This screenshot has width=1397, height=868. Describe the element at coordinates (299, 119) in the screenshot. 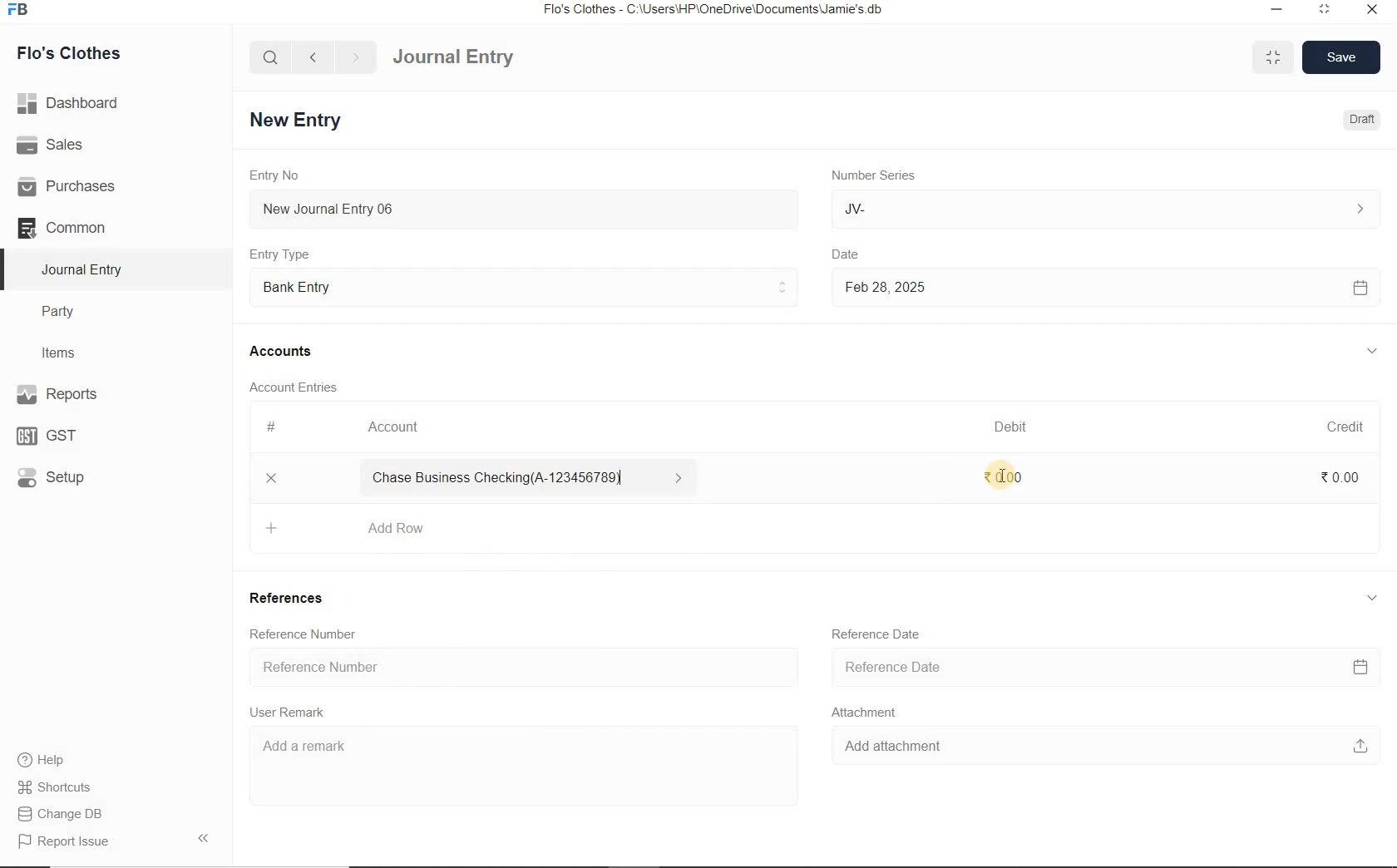

I see `New Entry` at that location.